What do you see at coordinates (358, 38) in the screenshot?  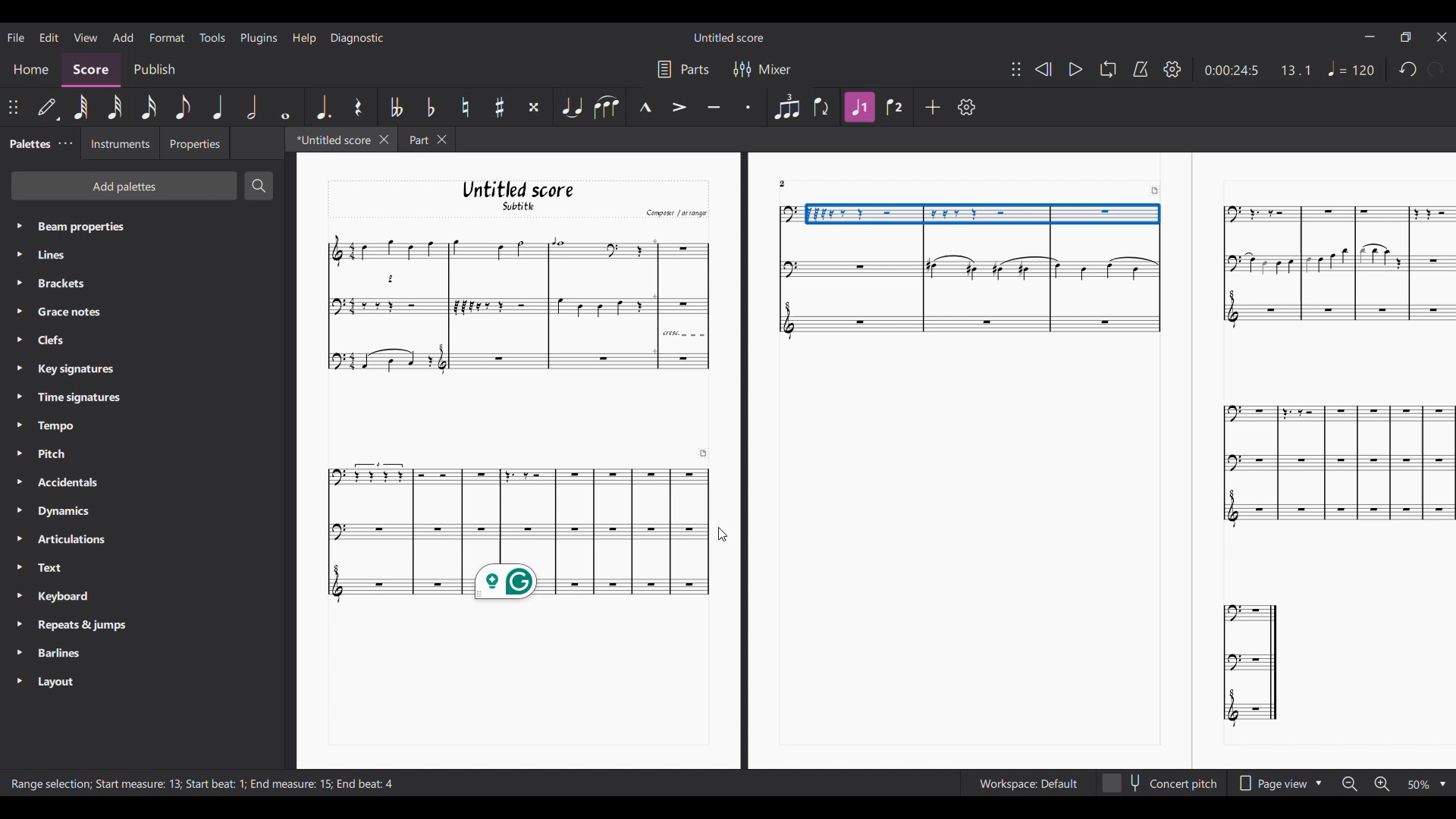 I see `Diagnostic menu` at bounding box center [358, 38].